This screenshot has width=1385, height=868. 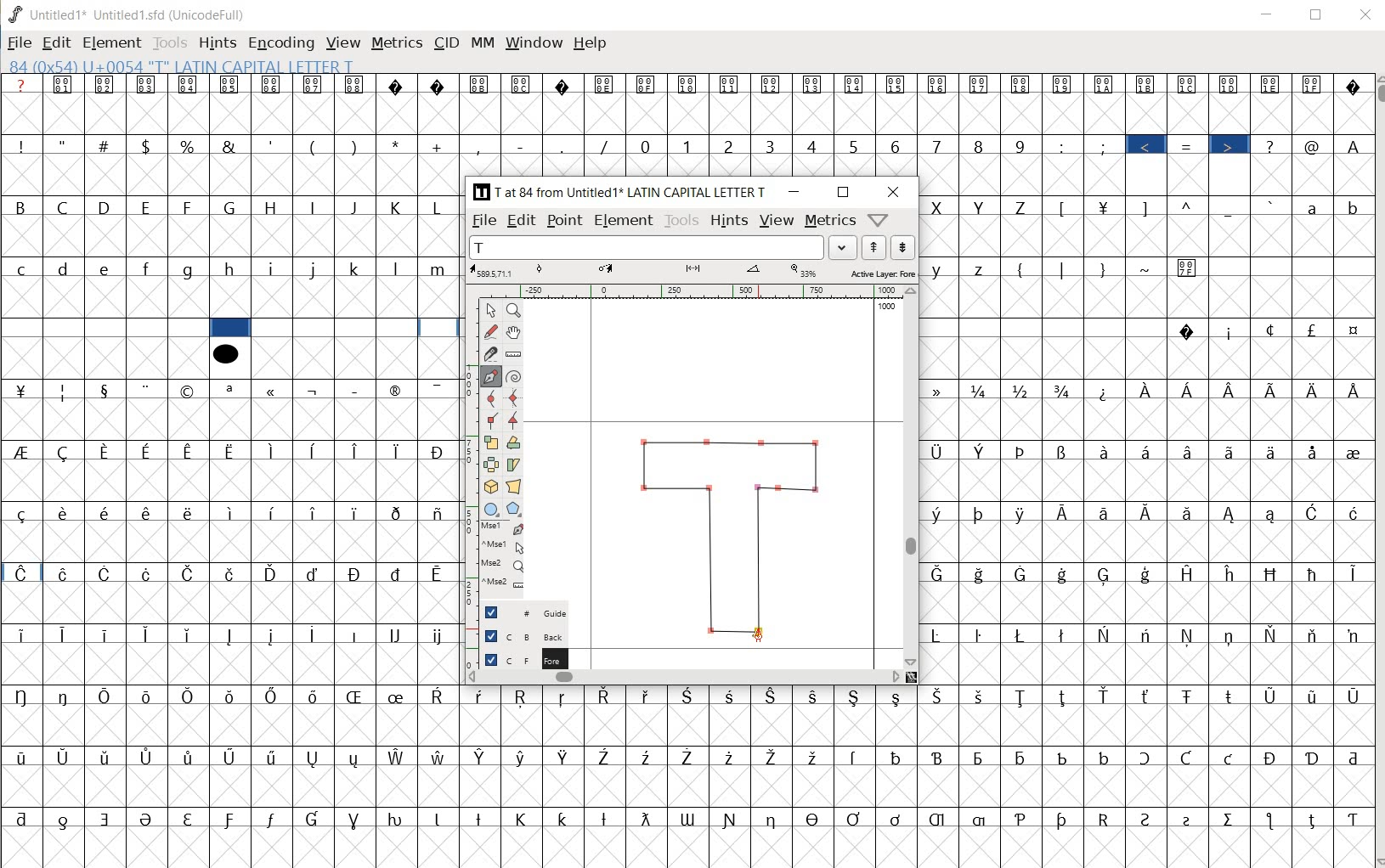 What do you see at coordinates (1377, 470) in the screenshot?
I see `scrollbar` at bounding box center [1377, 470].